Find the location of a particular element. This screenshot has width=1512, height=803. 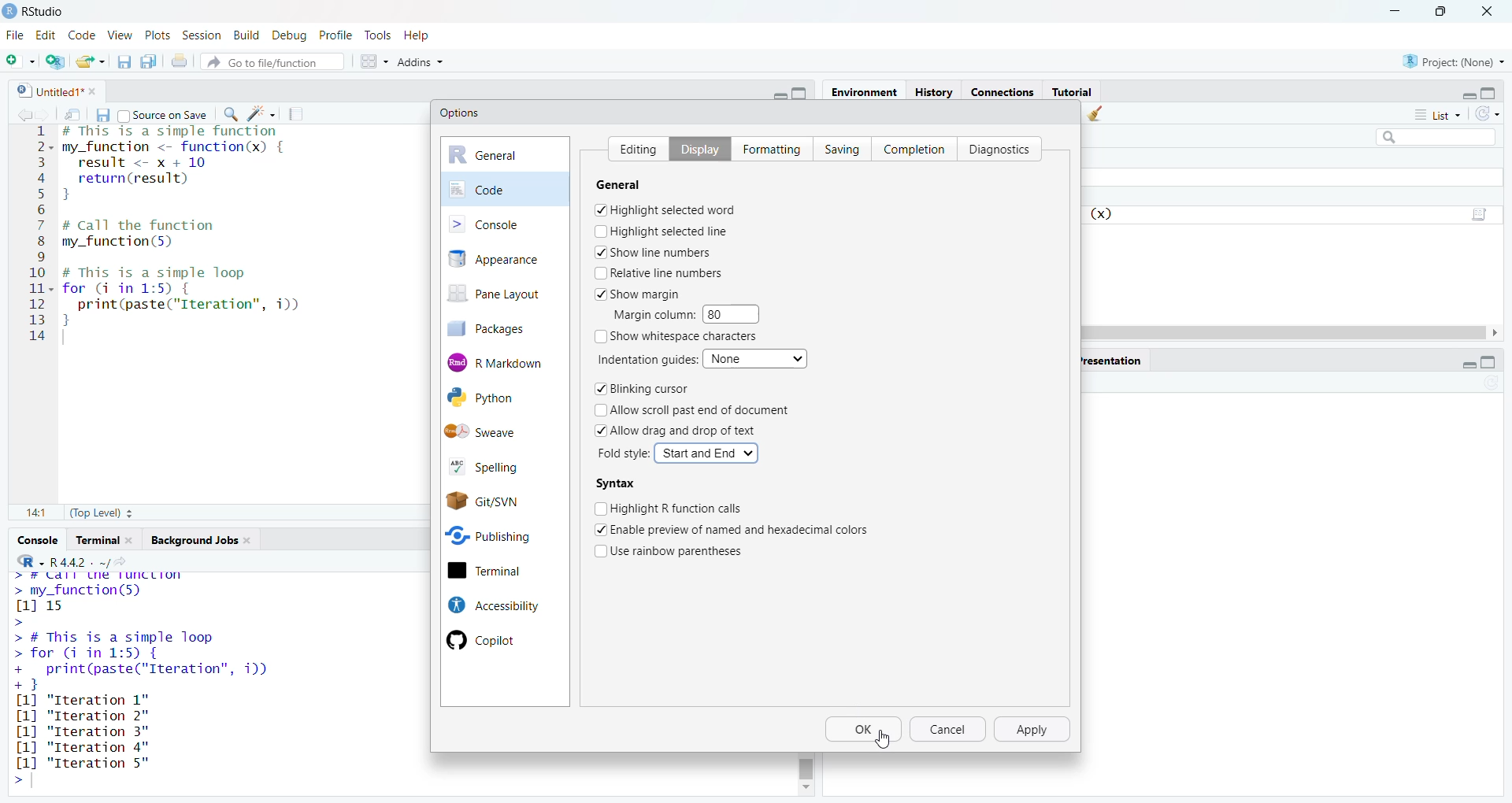

Git/SVN is located at coordinates (503, 500).